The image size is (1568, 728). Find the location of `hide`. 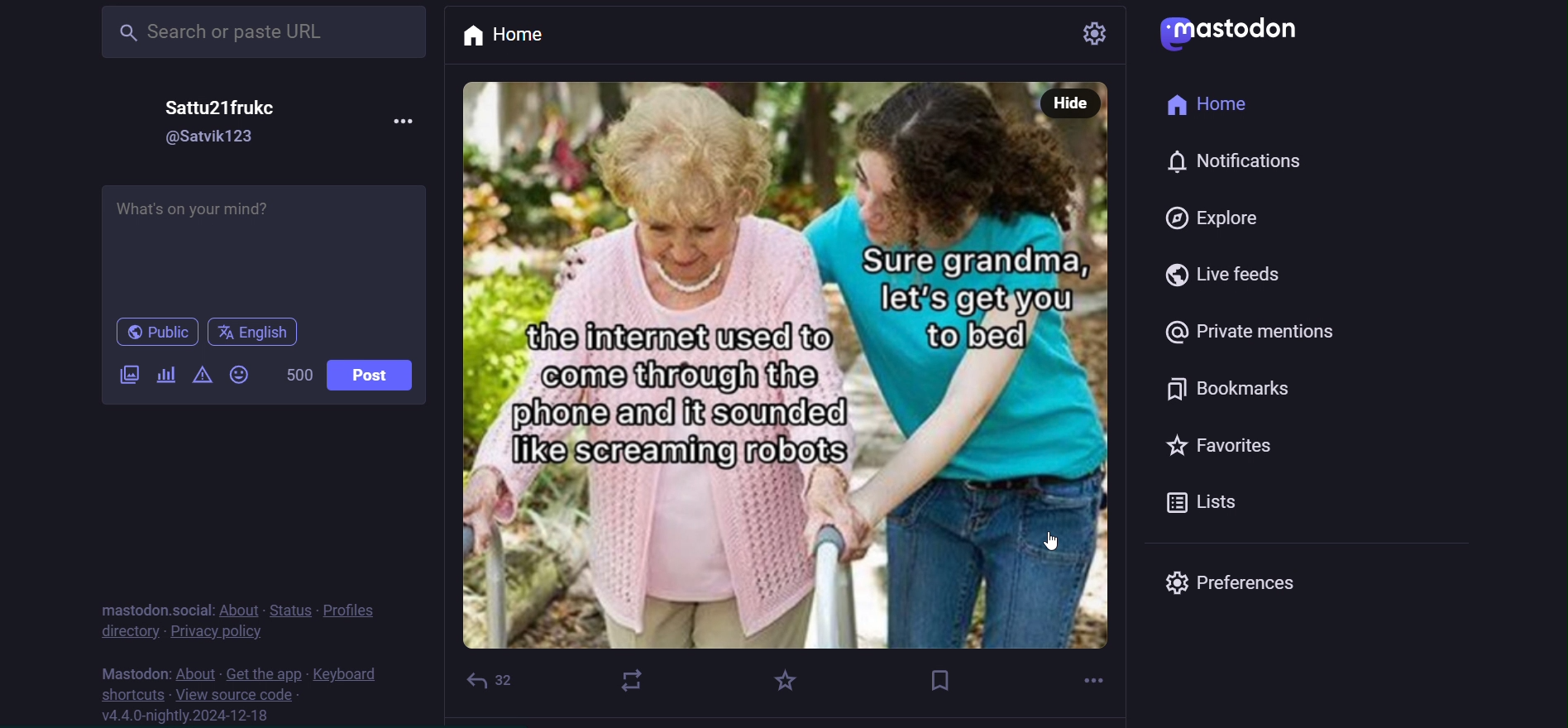

hide is located at coordinates (1071, 103).